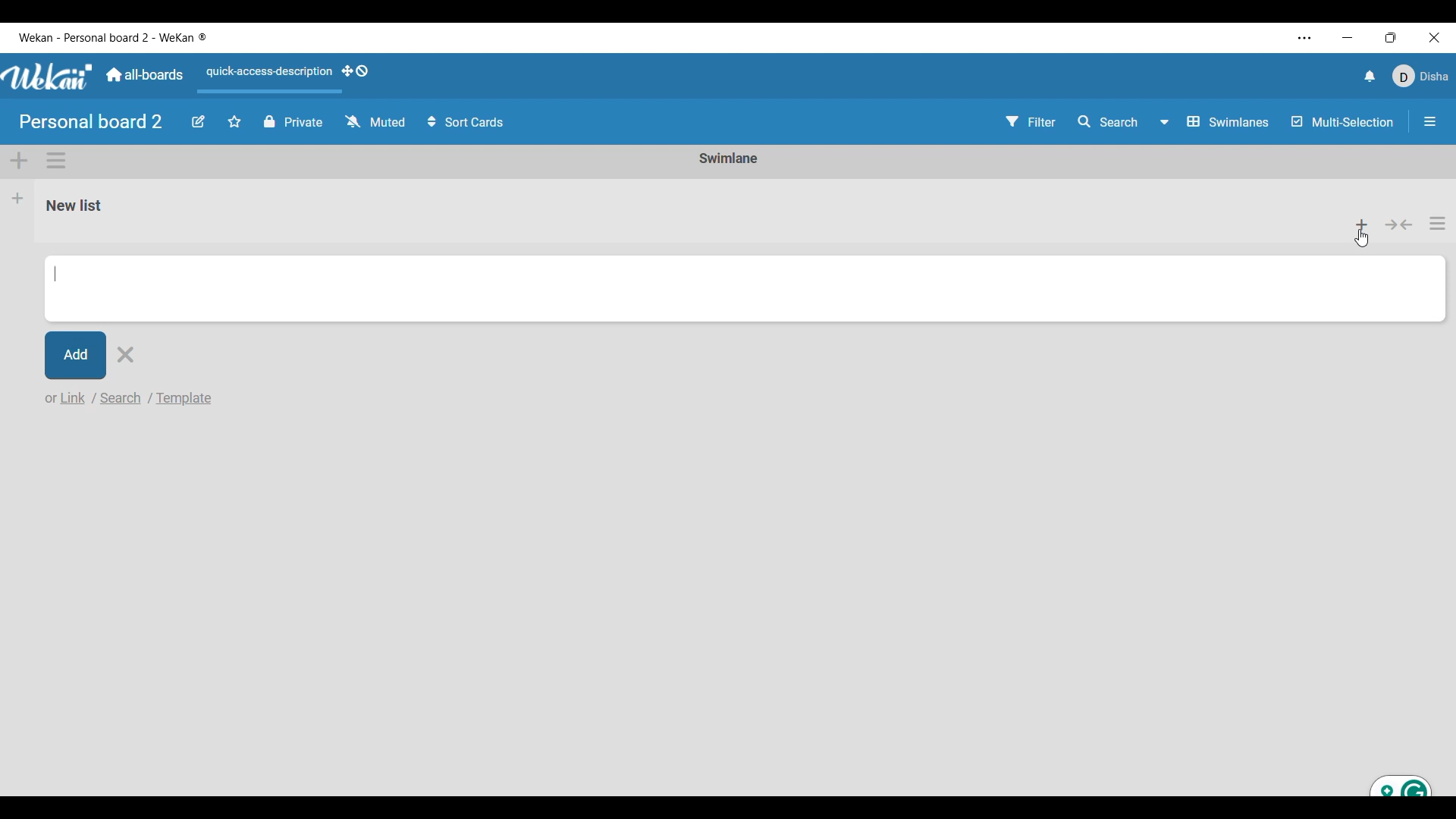 The height and width of the screenshot is (819, 1456). I want to click on Collapse, so click(1400, 227).